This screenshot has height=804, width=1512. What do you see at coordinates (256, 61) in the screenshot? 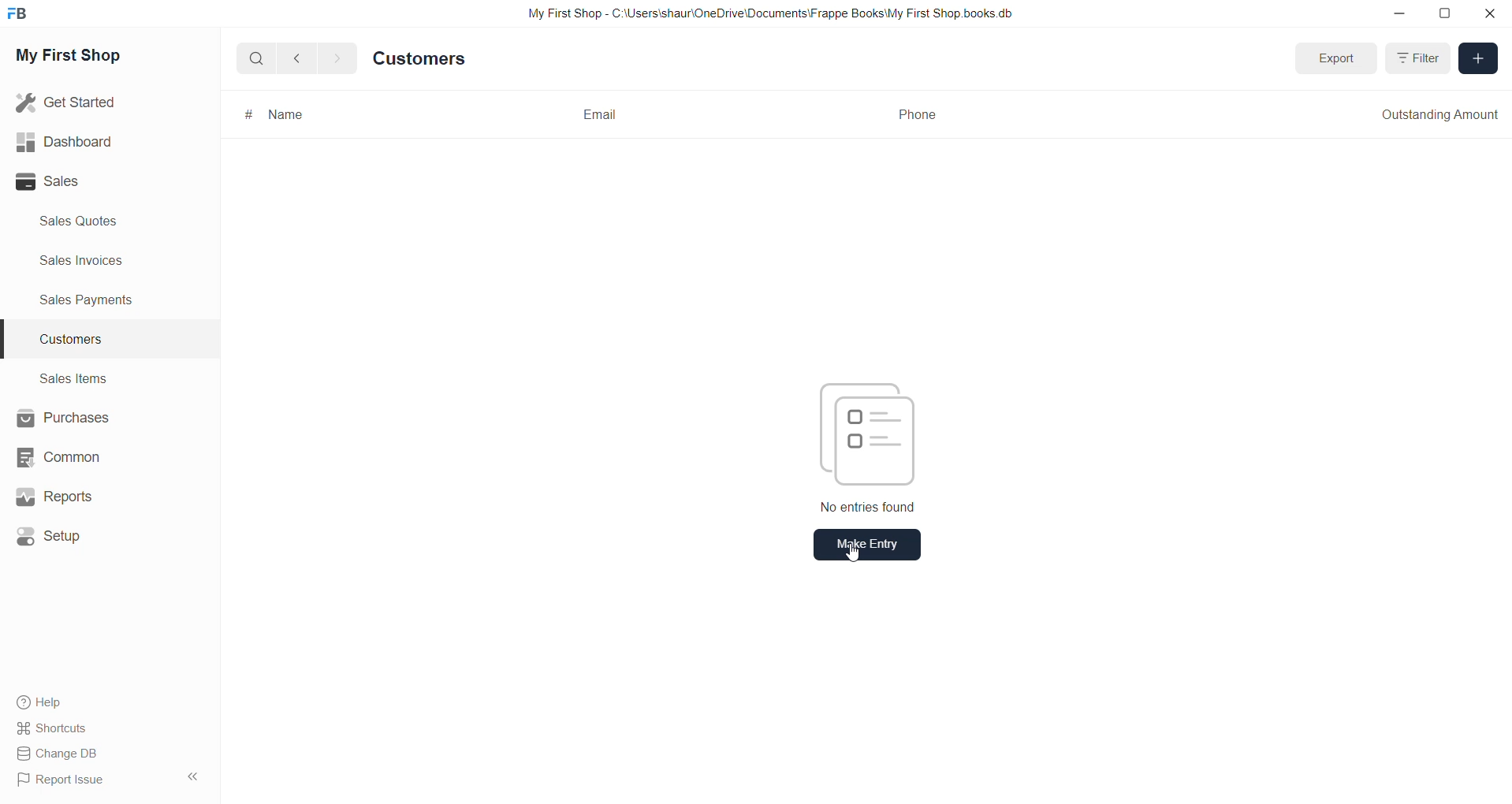
I see `Search` at bounding box center [256, 61].